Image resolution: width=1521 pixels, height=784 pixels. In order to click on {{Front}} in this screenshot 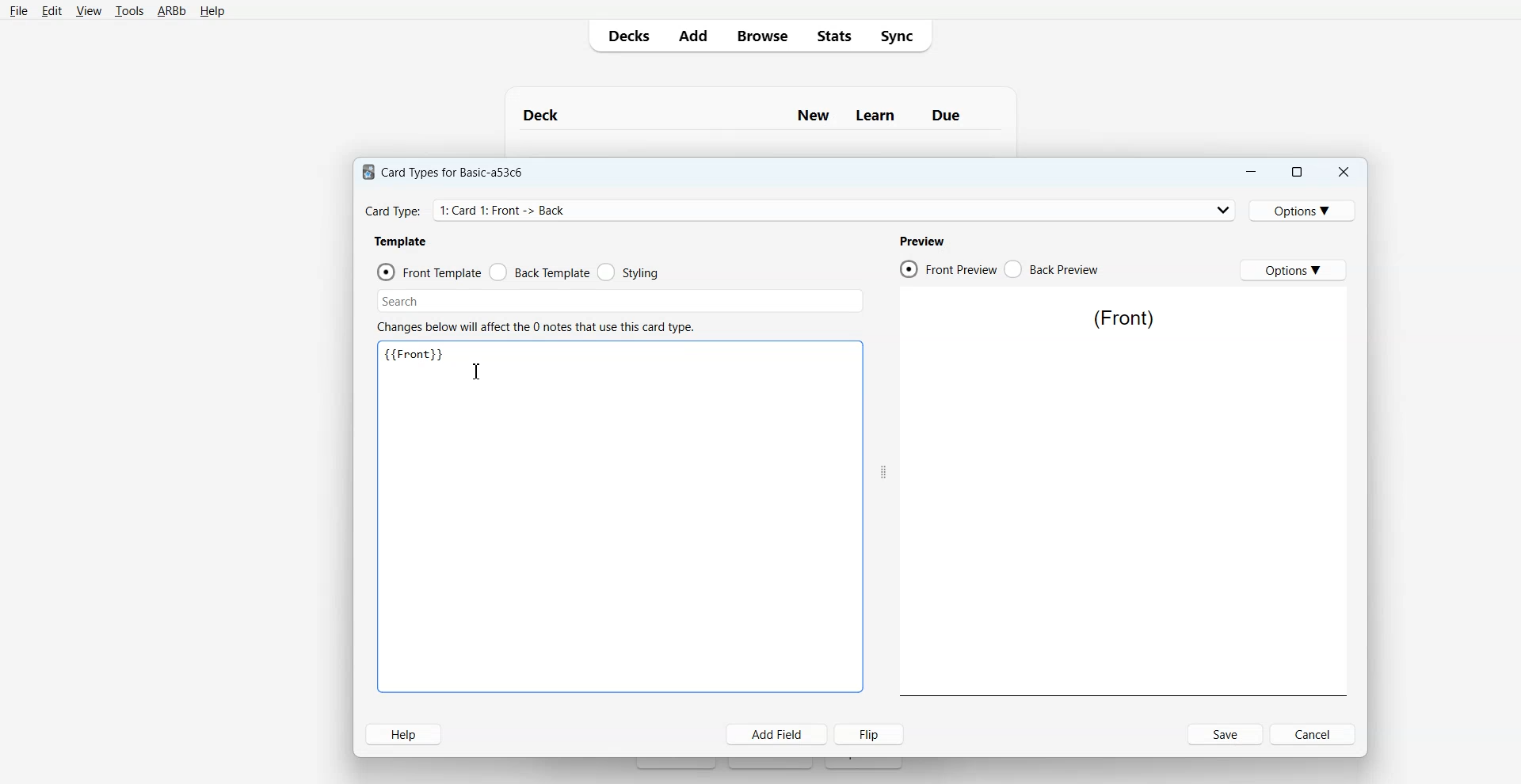, I will do `click(415, 353)`.